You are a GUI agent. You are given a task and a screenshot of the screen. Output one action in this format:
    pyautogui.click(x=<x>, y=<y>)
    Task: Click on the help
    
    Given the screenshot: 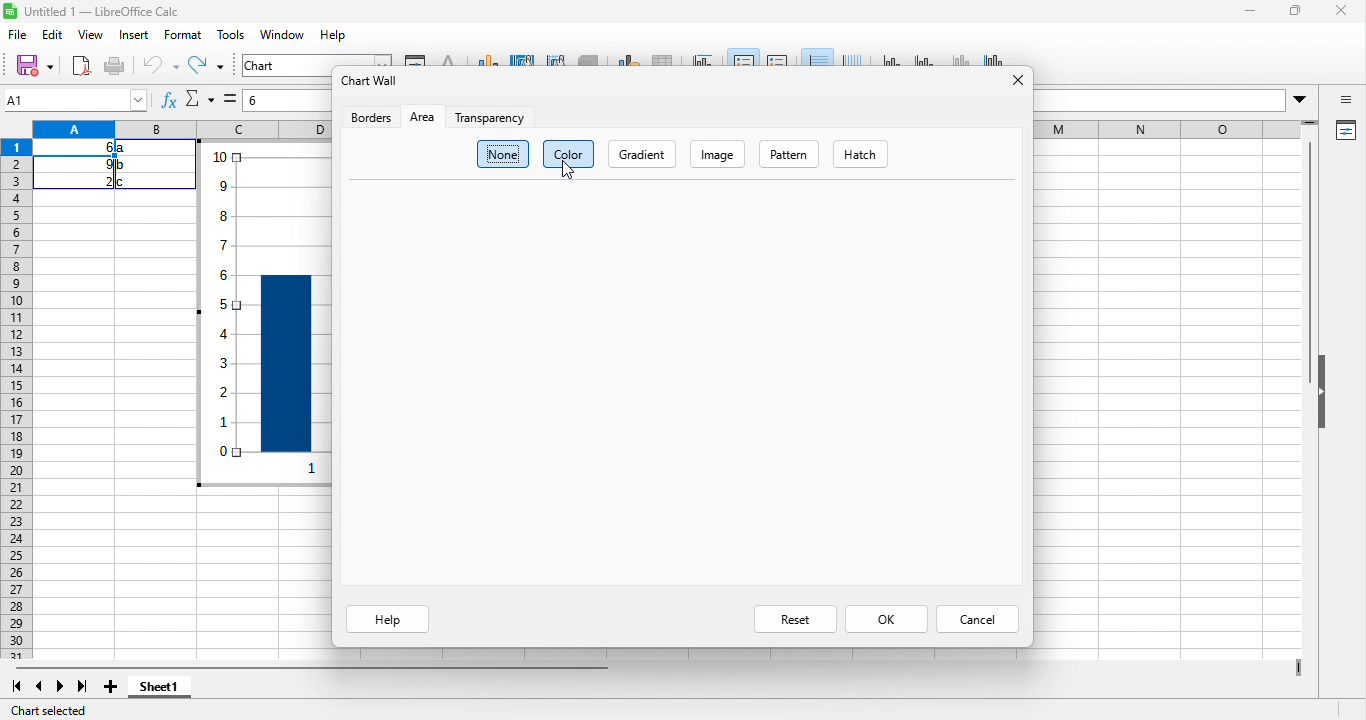 What is the action you would take?
    pyautogui.click(x=387, y=617)
    